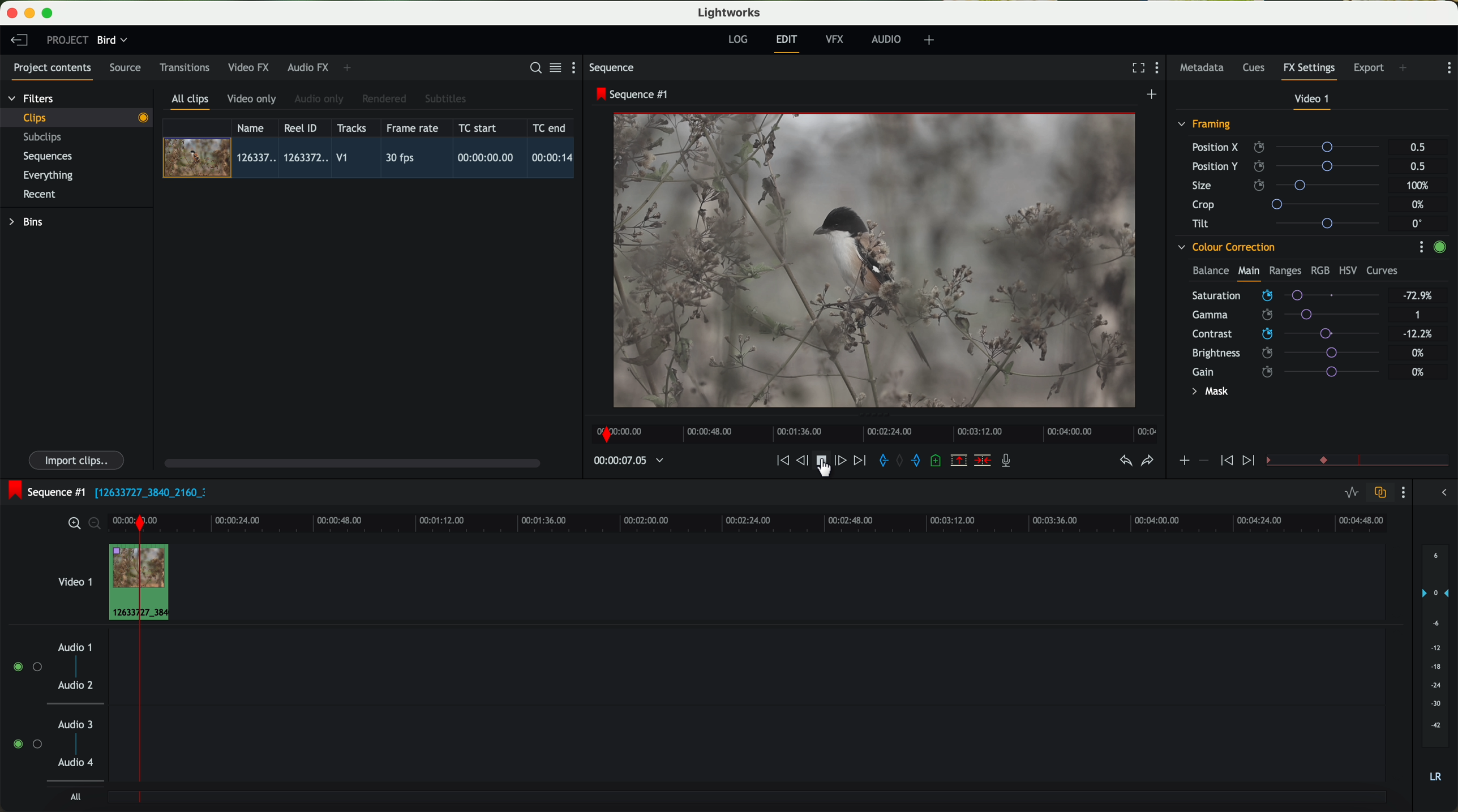 The width and height of the screenshot is (1458, 812). Describe the element at coordinates (1290, 166) in the screenshot. I see `position Y` at that location.